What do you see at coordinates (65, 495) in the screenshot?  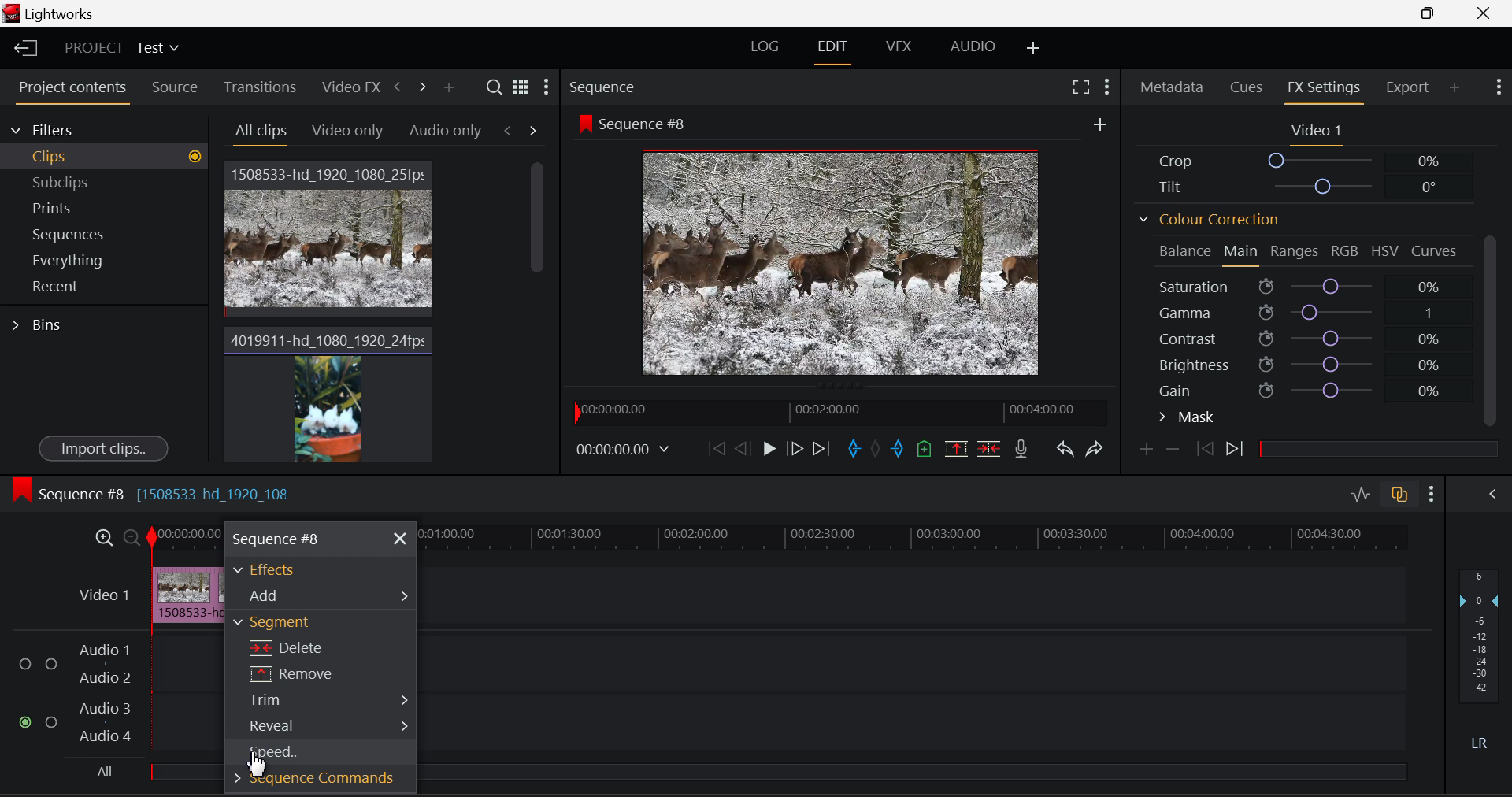 I see `Sequence #8 Timeline Display` at bounding box center [65, 495].